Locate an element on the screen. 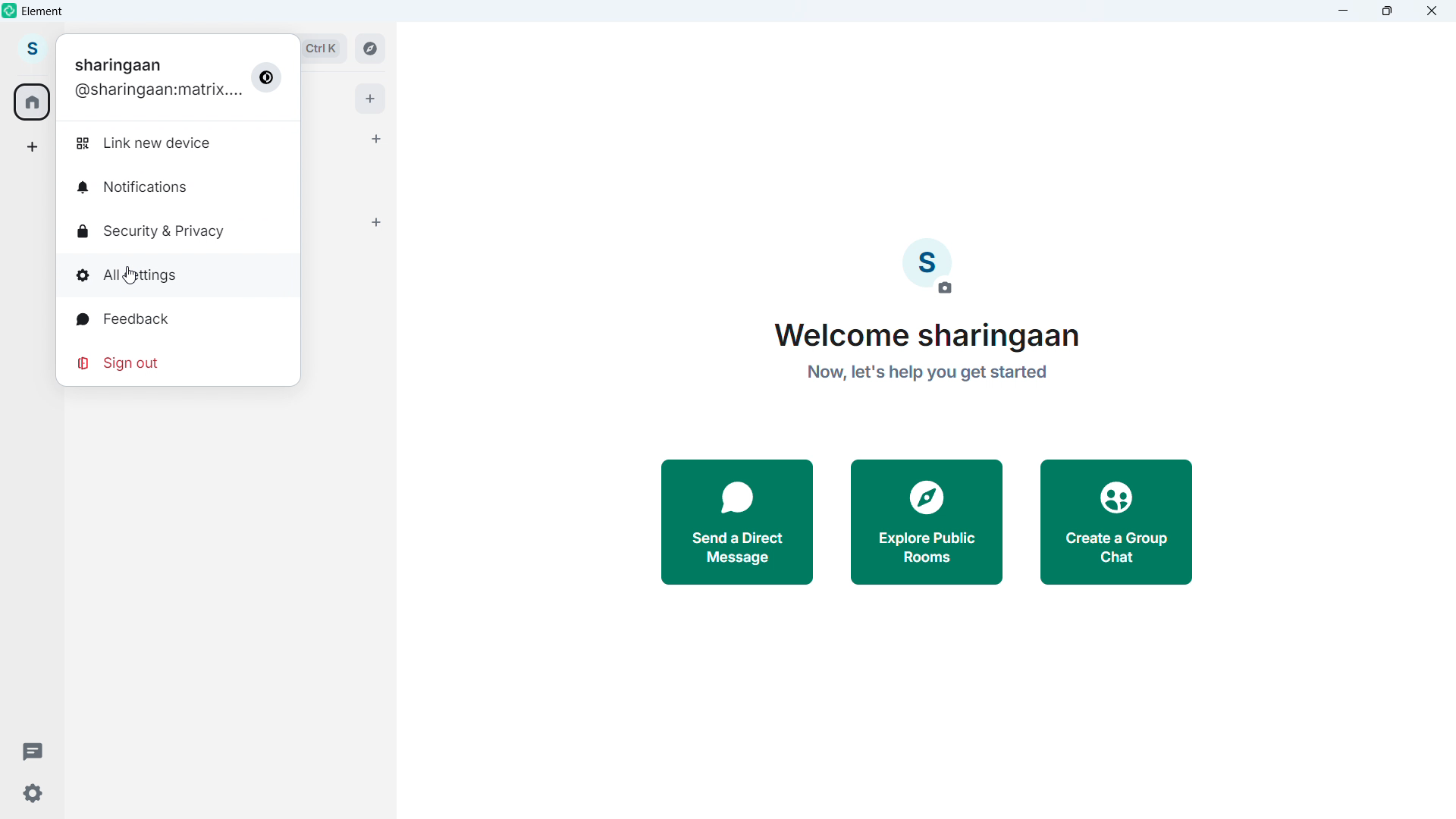  Toggle theme  is located at coordinates (267, 79).